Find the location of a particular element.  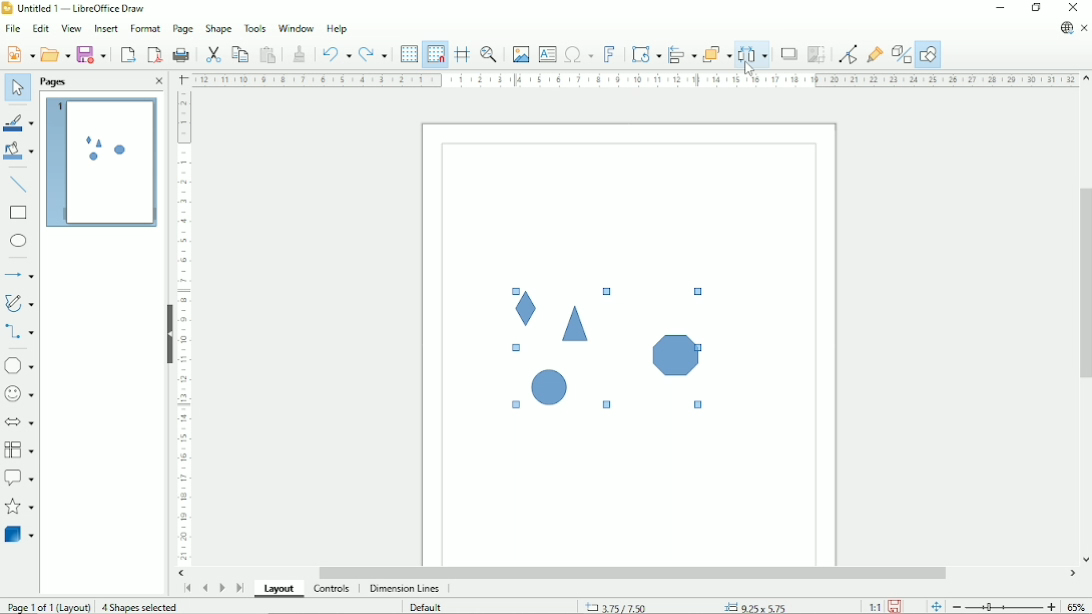

File is located at coordinates (12, 28).